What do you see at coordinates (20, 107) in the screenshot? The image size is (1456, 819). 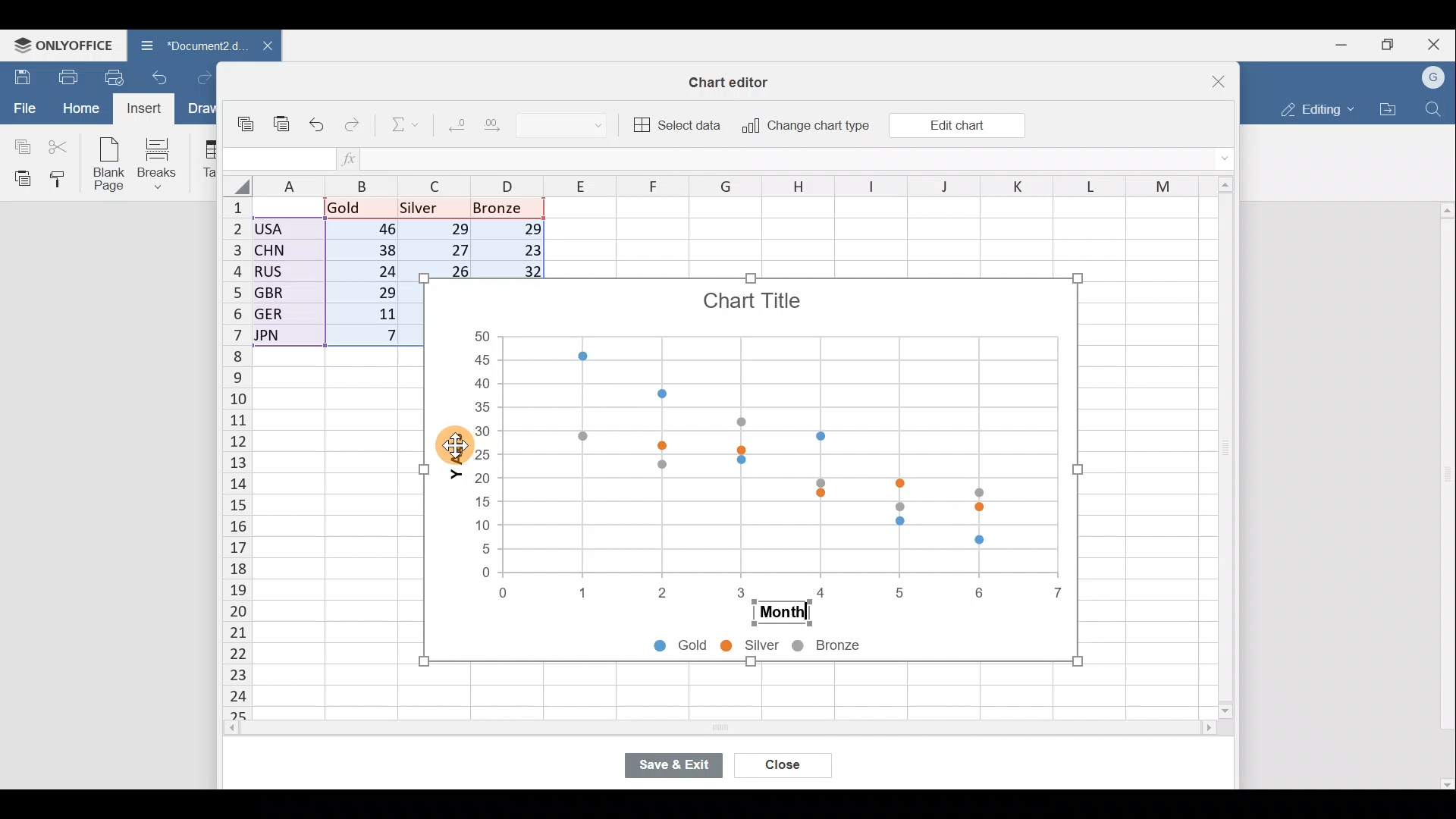 I see `File` at bounding box center [20, 107].